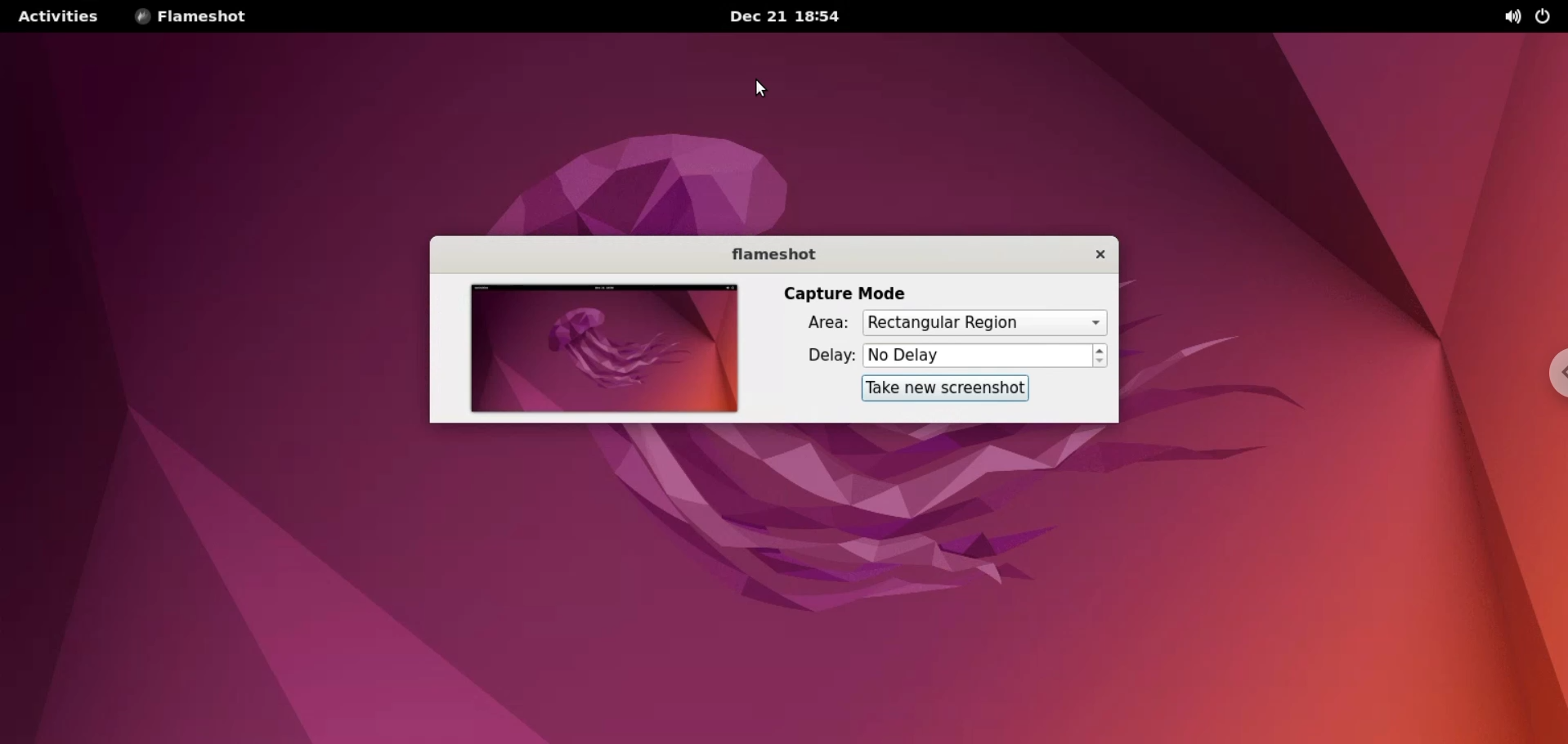  I want to click on close, so click(1094, 254).